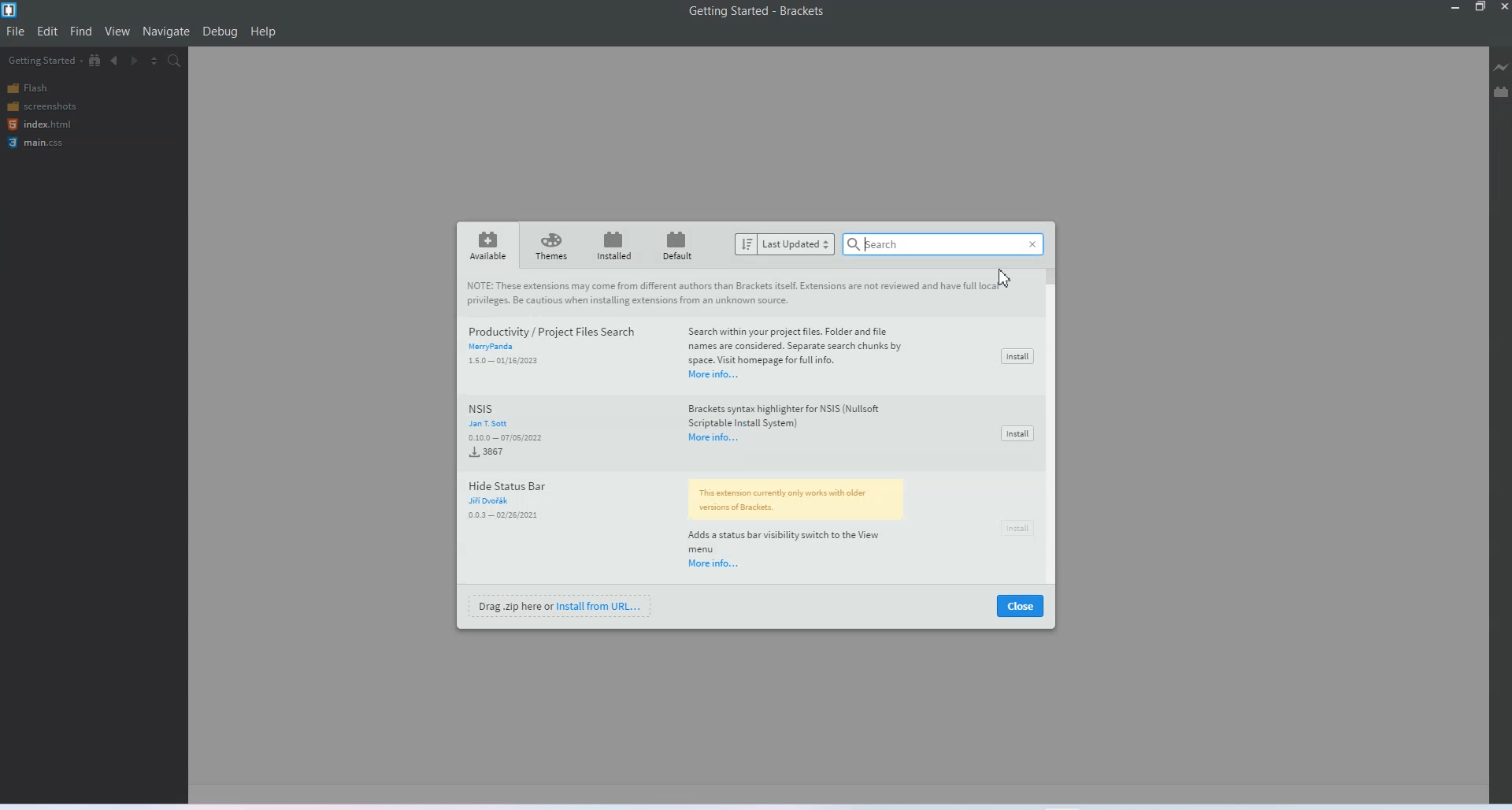 The width and height of the screenshot is (1512, 810). Describe the element at coordinates (219, 32) in the screenshot. I see `Debug` at that location.